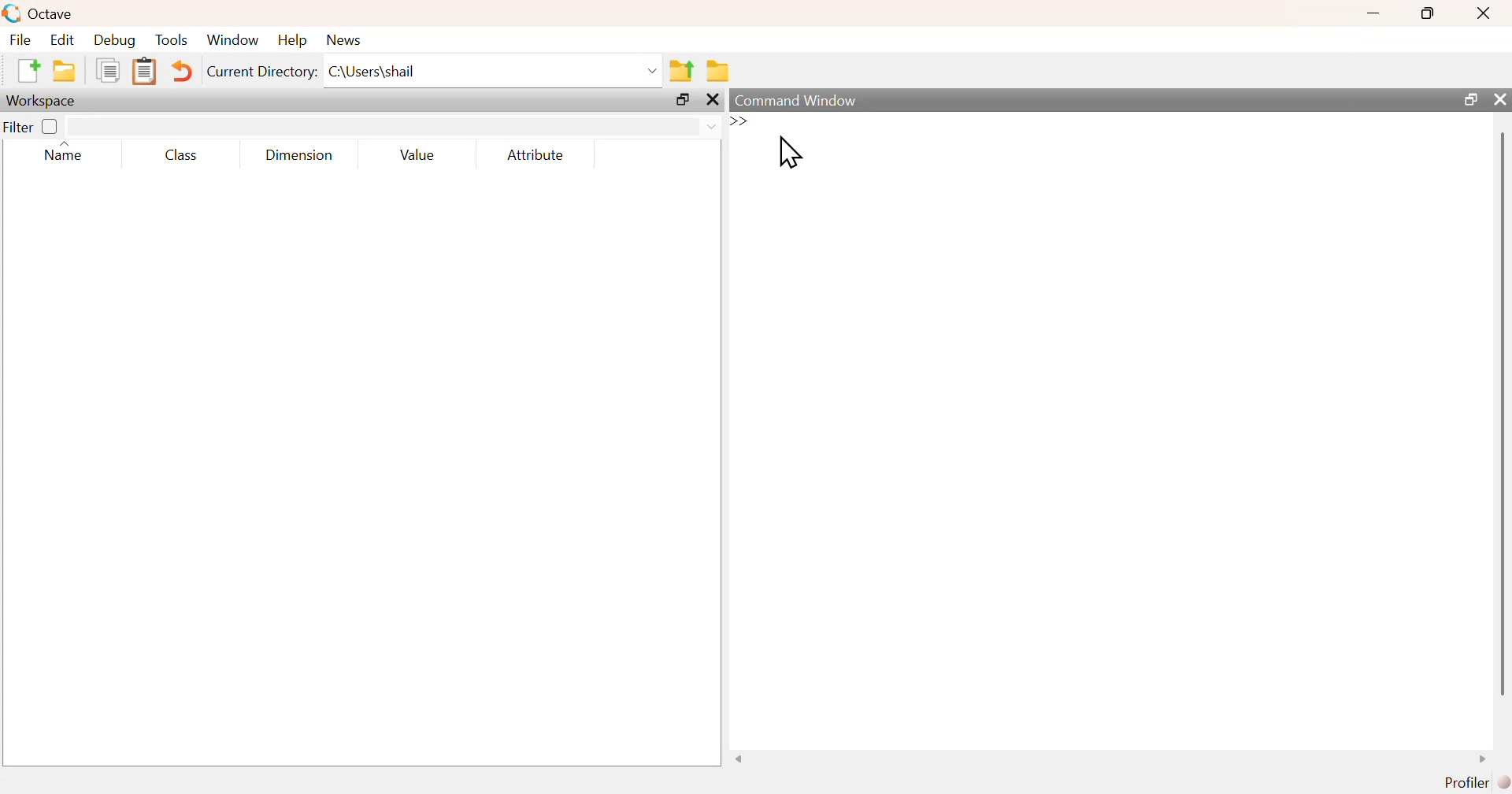 The width and height of the screenshot is (1512, 794). What do you see at coordinates (13, 14) in the screenshot?
I see `Logo` at bounding box center [13, 14].